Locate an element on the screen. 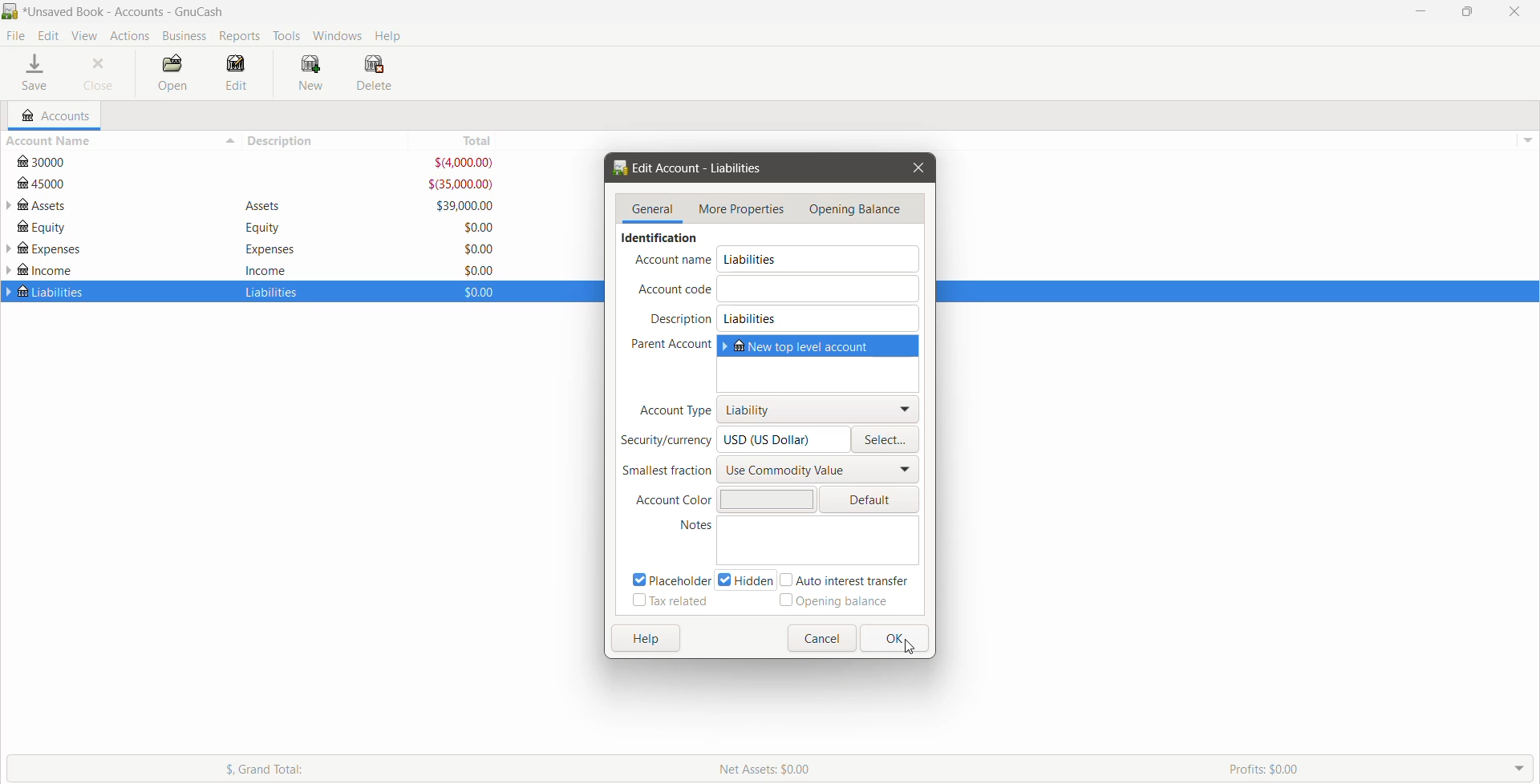  OK is located at coordinates (894, 638).